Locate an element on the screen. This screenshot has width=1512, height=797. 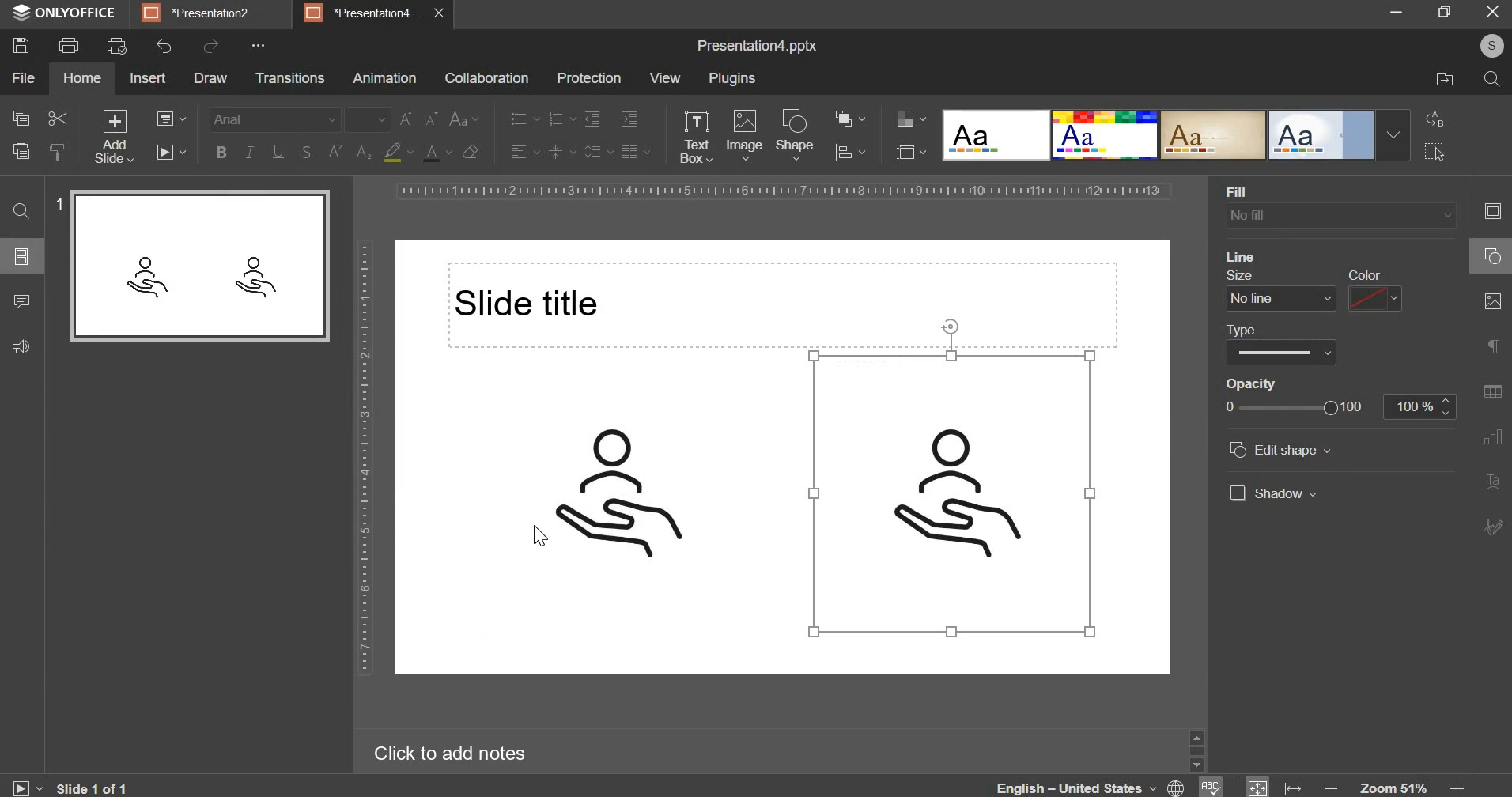
background fill is located at coordinates (1341, 215).